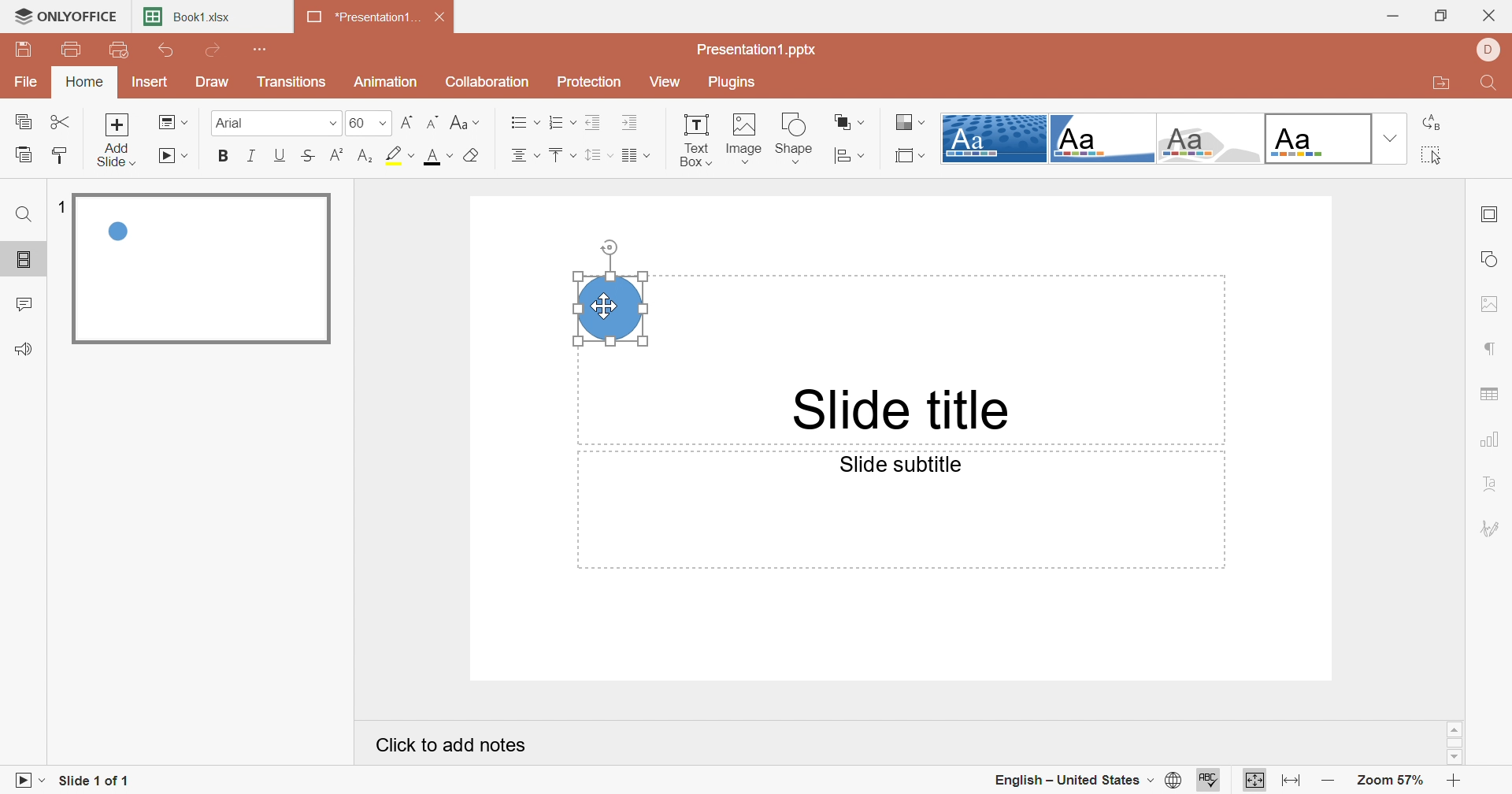 This screenshot has width=1512, height=794. I want to click on Underline, so click(281, 155).